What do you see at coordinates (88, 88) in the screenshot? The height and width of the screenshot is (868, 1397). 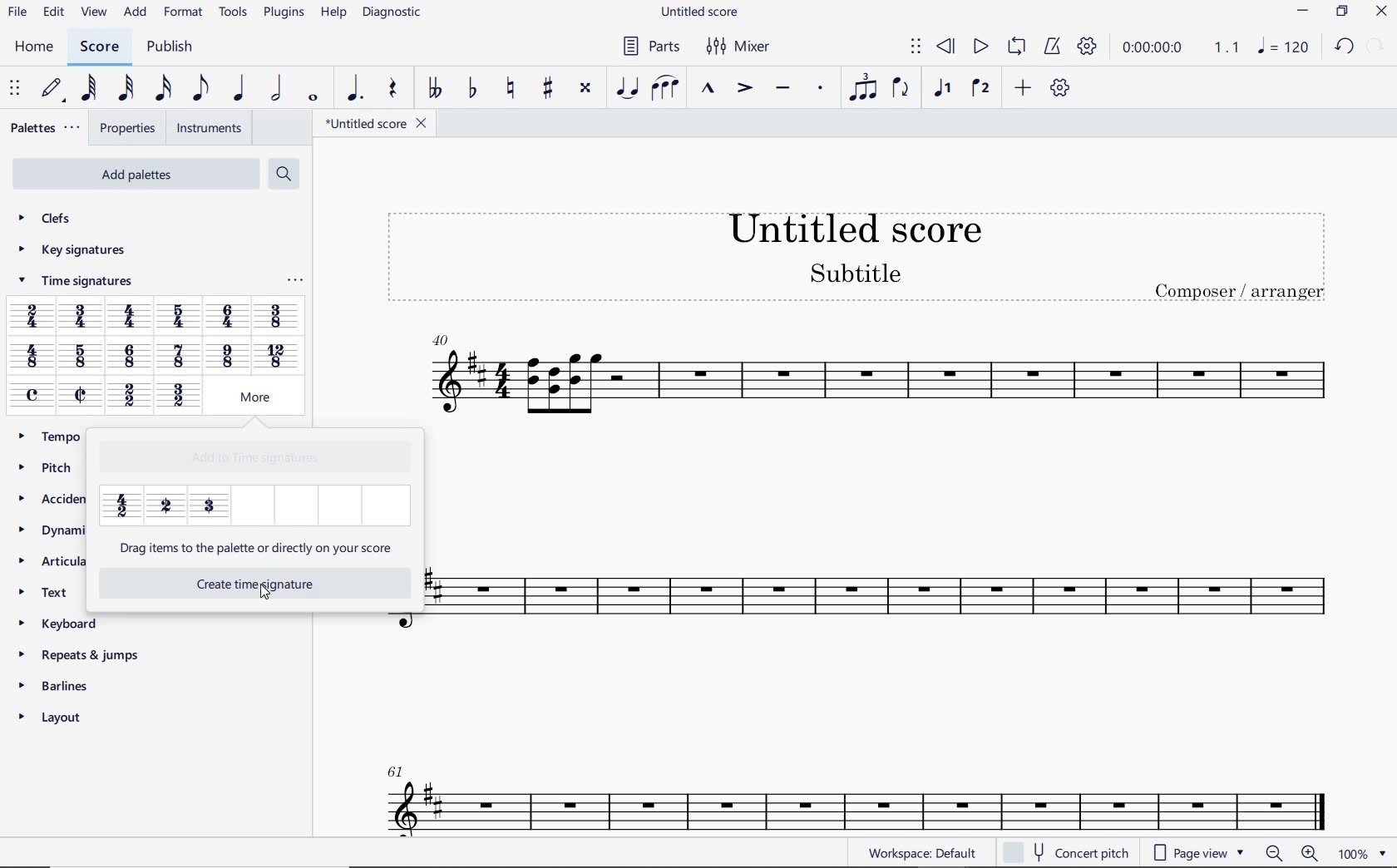 I see `64TH NOTE` at bounding box center [88, 88].